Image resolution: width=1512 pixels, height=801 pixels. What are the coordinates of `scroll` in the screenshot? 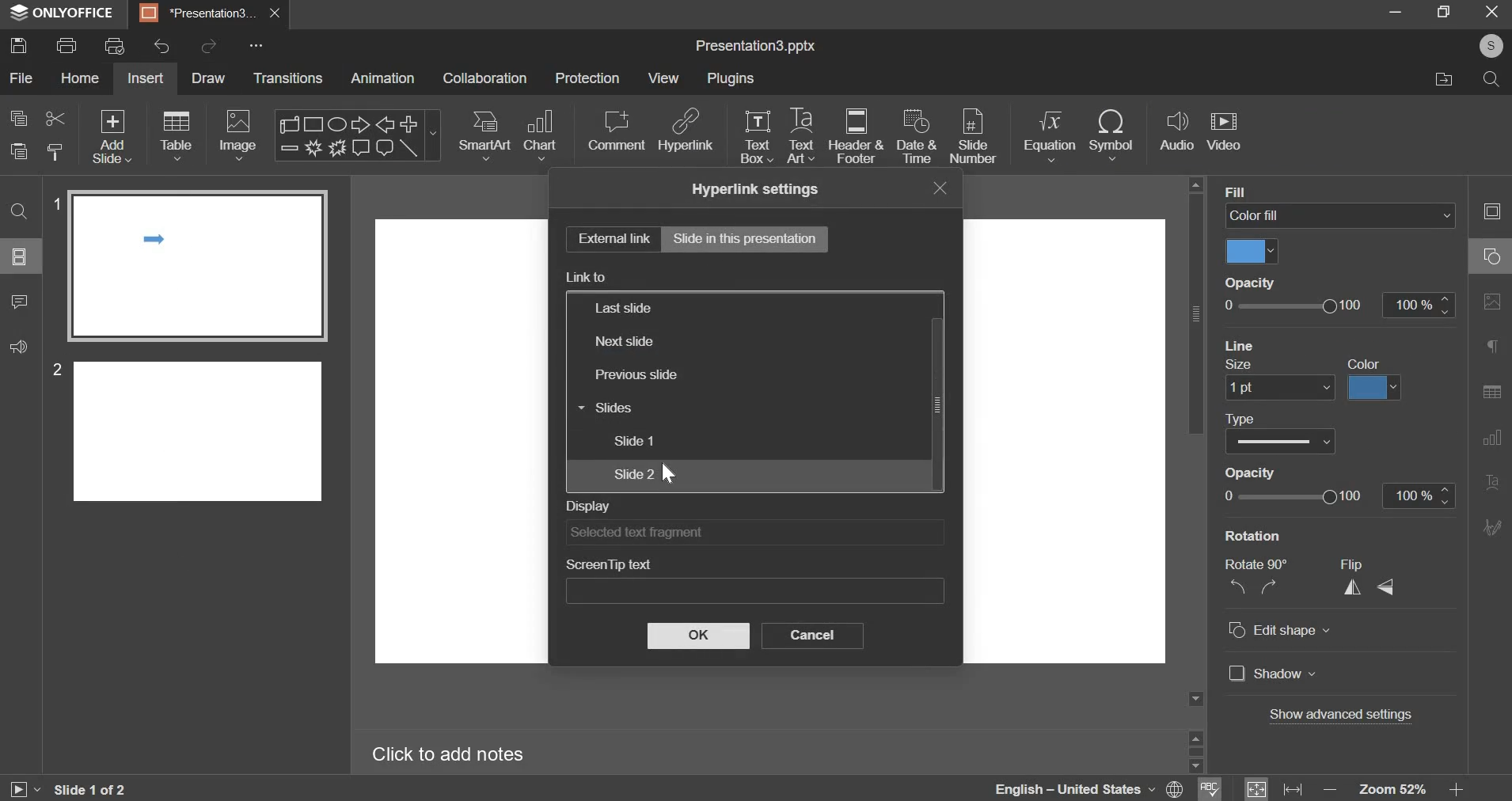 It's located at (291, 123).